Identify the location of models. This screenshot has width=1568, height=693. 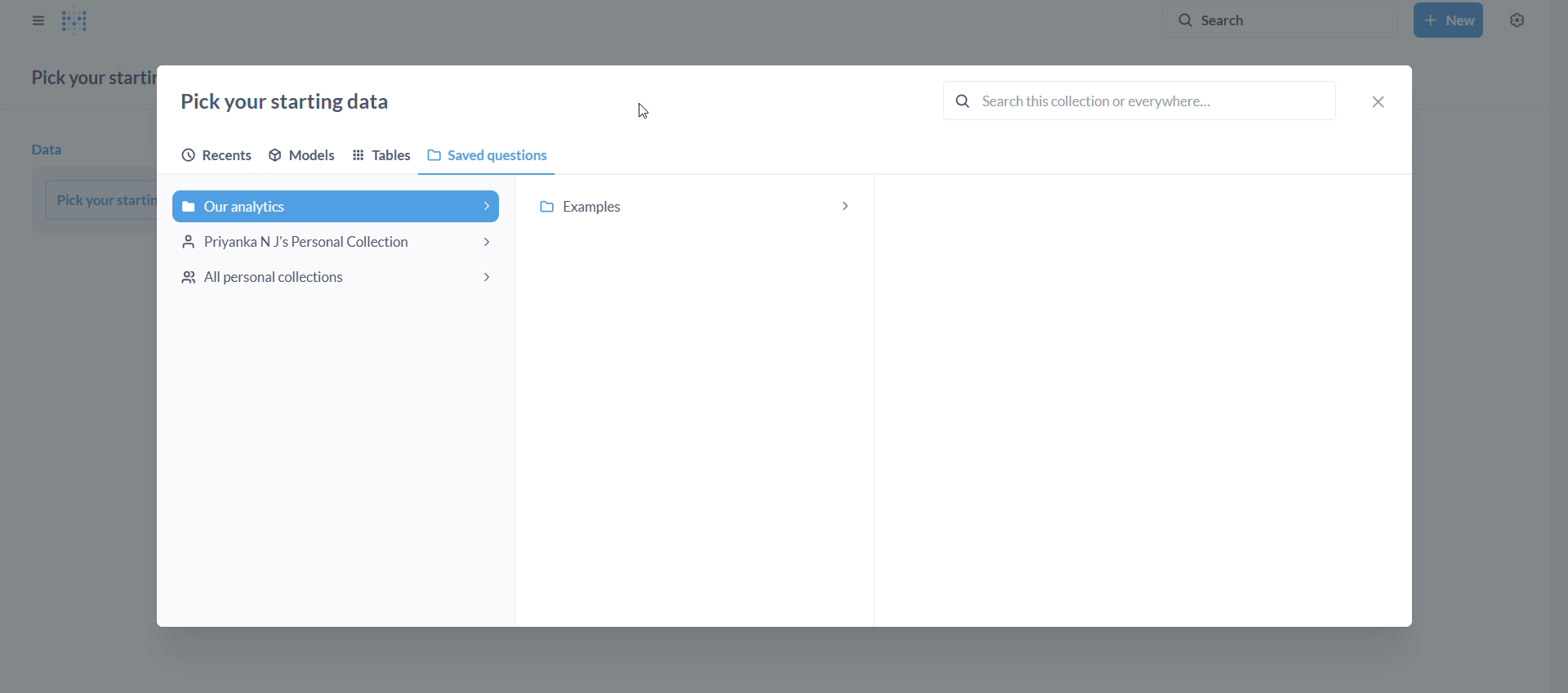
(305, 154).